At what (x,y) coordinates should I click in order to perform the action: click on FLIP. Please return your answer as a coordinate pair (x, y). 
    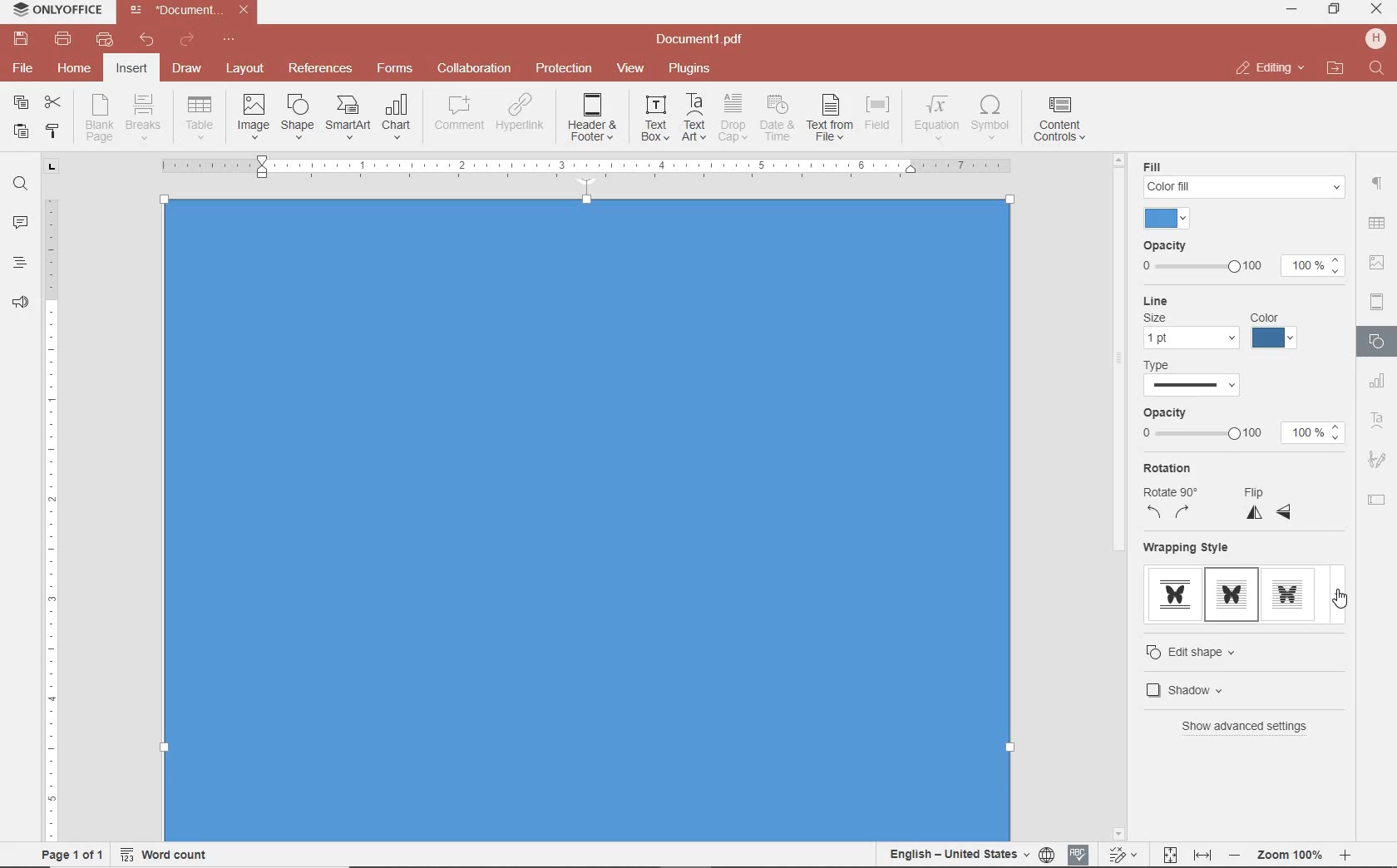
    Looking at the image, I should click on (1272, 504).